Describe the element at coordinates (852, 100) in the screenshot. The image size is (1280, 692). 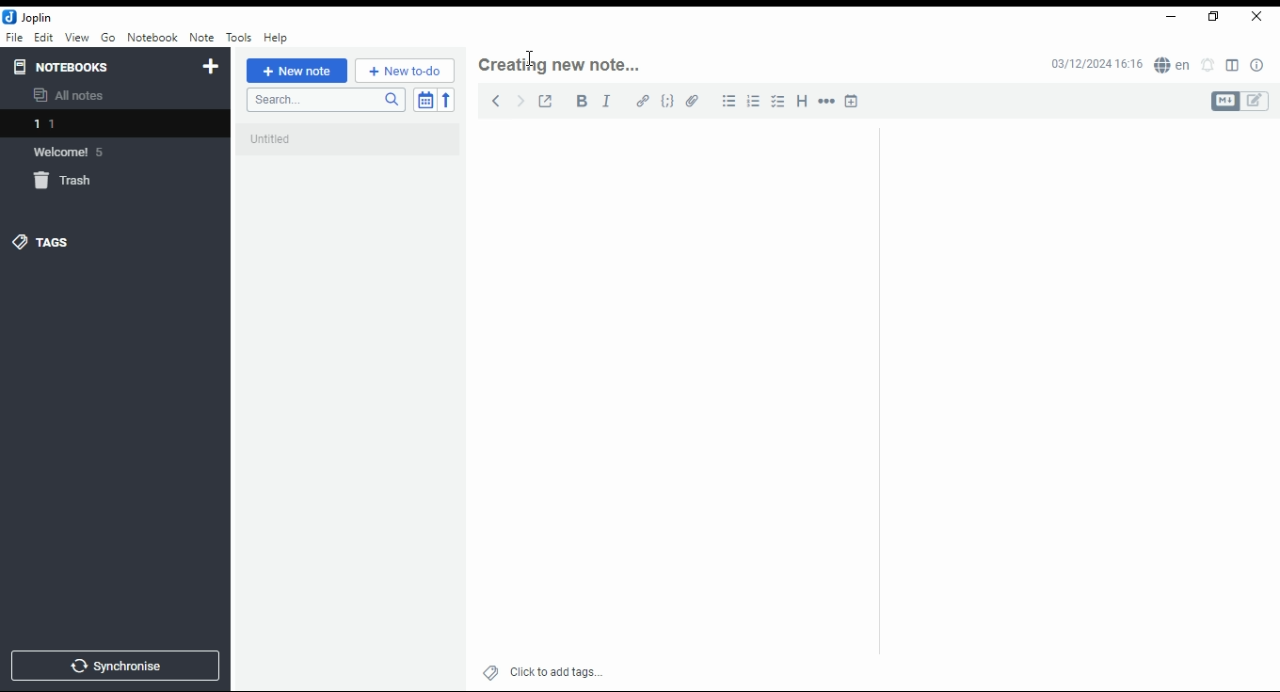
I see `insert time` at that location.